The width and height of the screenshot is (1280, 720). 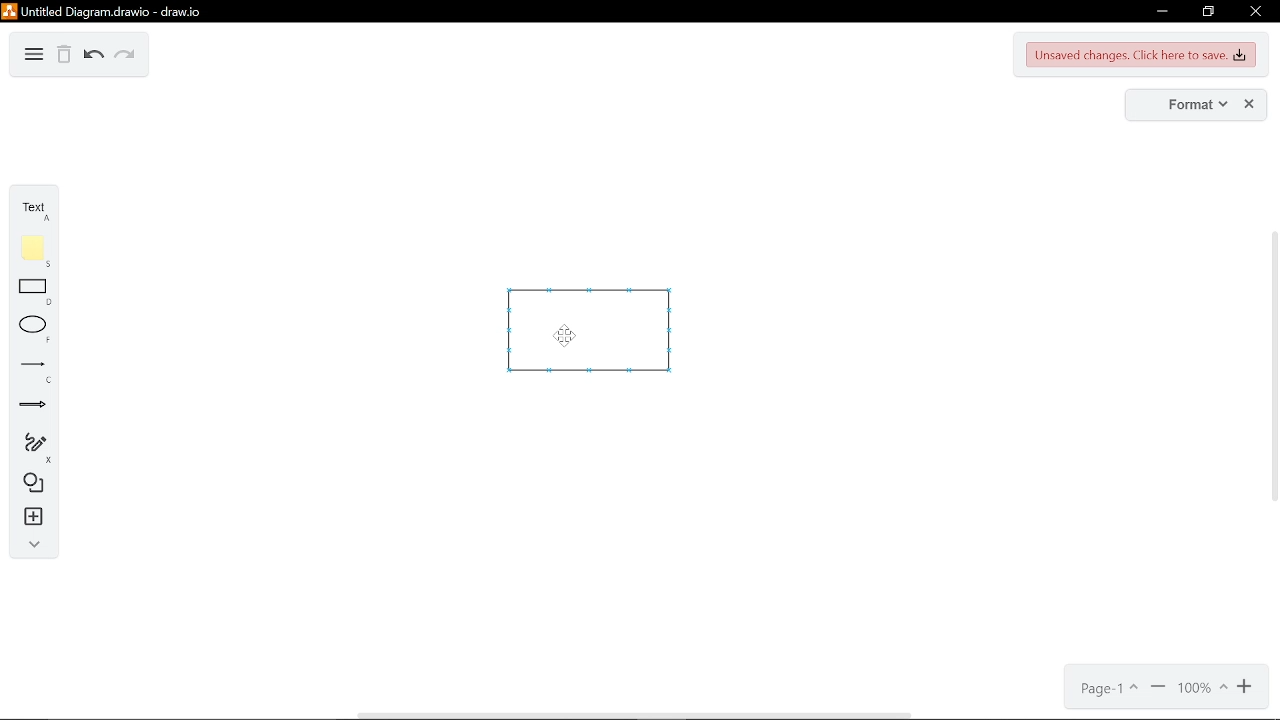 What do you see at coordinates (1196, 105) in the screenshot?
I see `format` at bounding box center [1196, 105].